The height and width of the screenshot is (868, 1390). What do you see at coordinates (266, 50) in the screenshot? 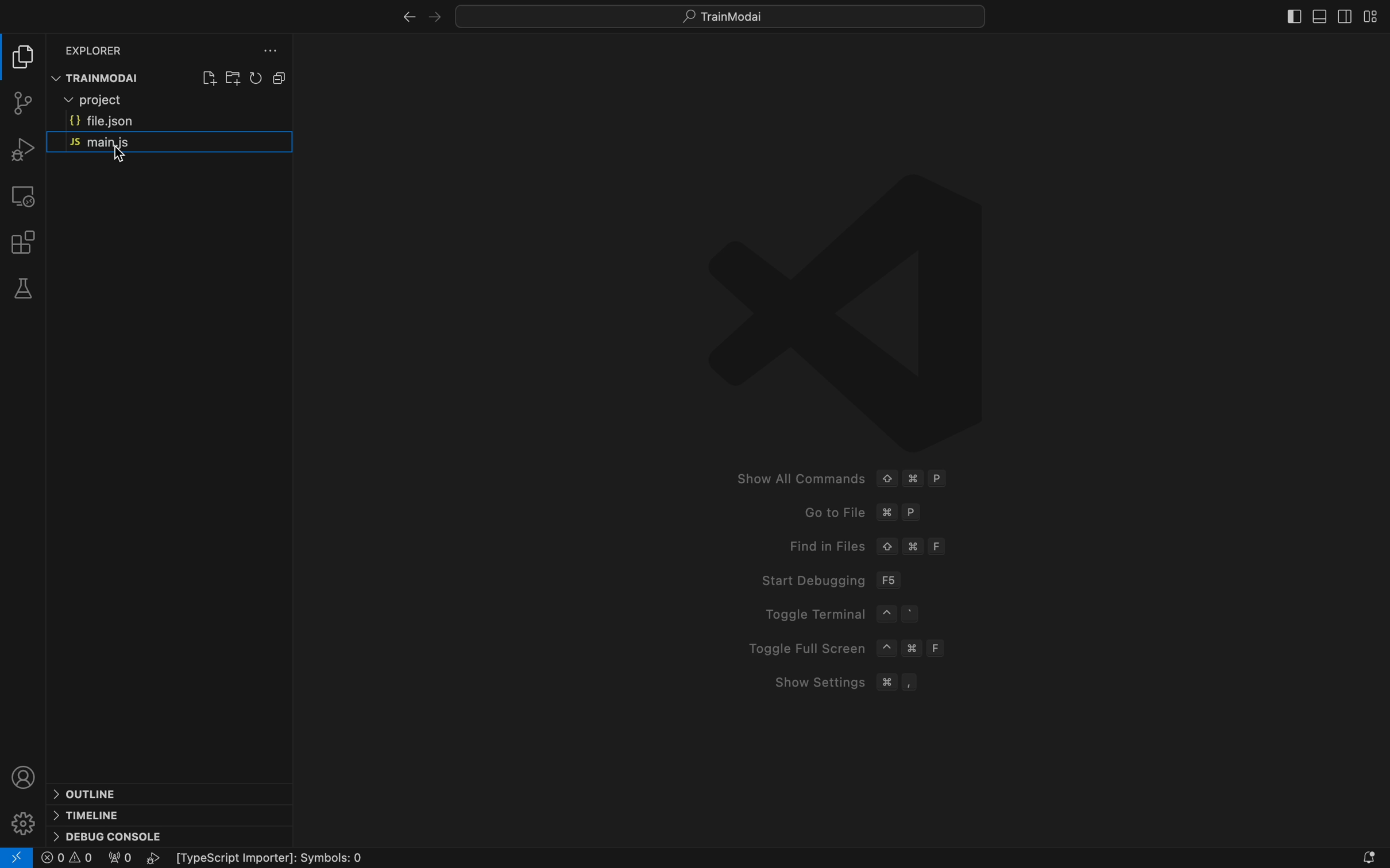
I see `file explorer setting` at bounding box center [266, 50].